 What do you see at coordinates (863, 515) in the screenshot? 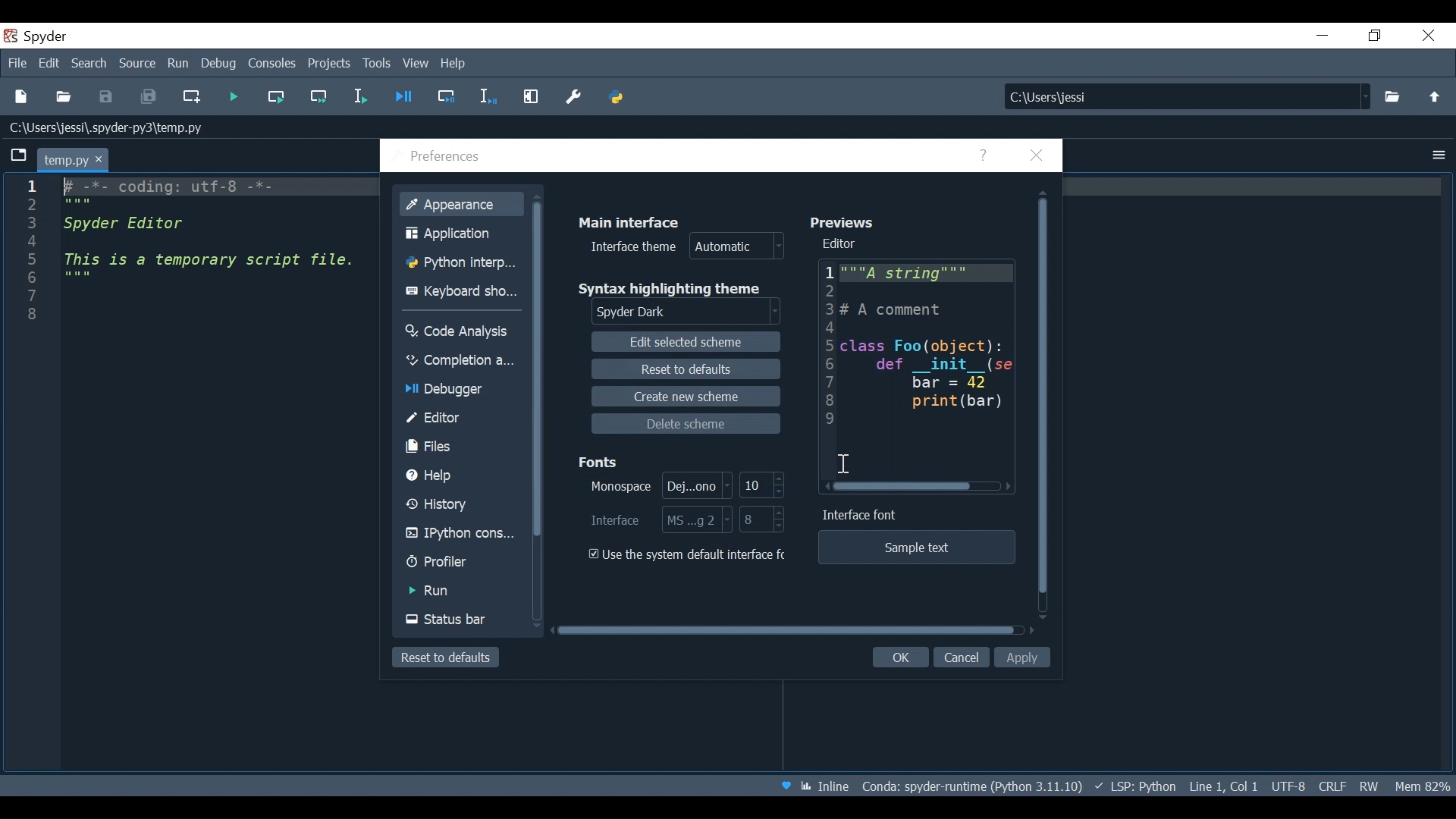
I see `Interface font` at bounding box center [863, 515].